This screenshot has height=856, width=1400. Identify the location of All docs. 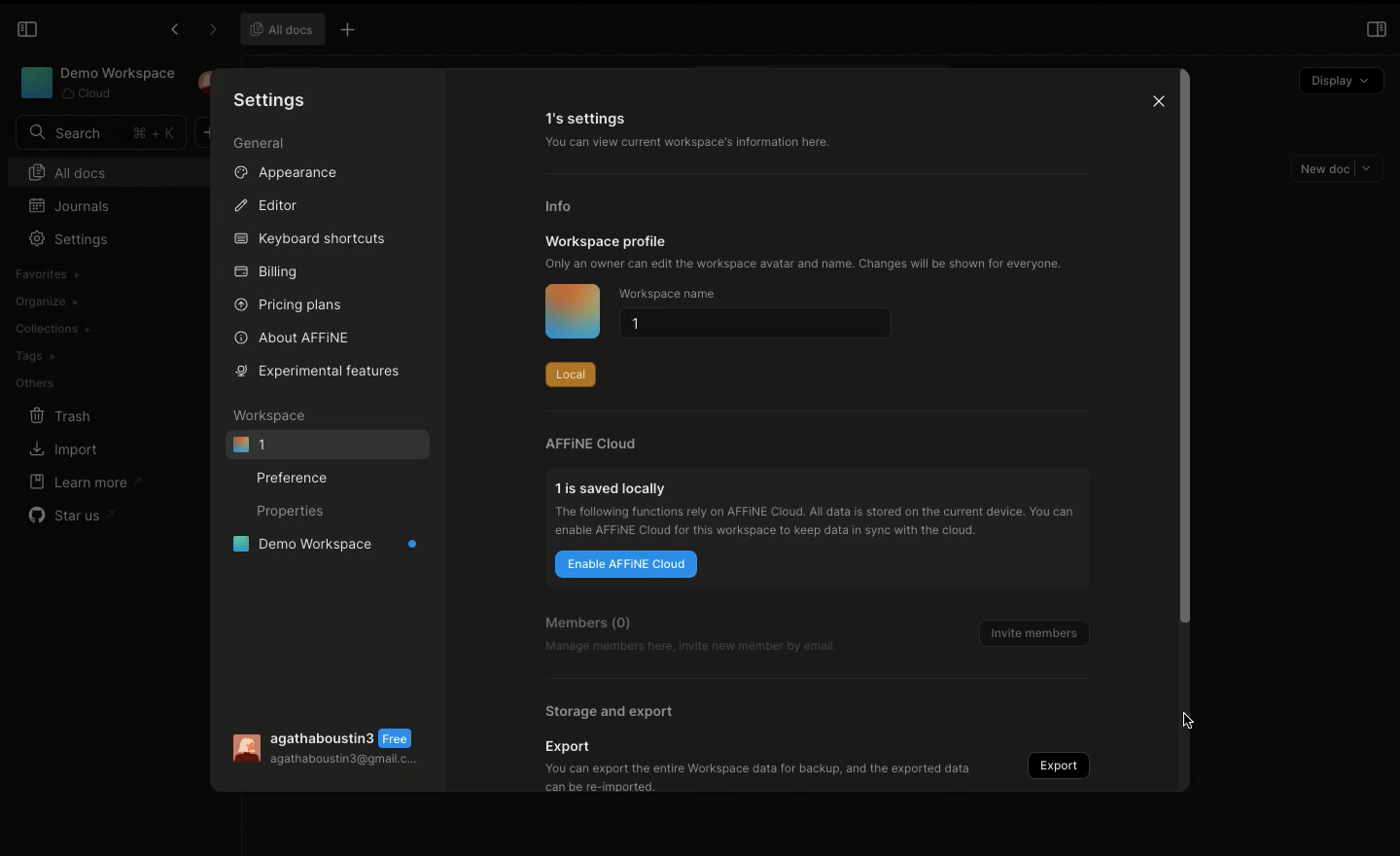
(283, 29).